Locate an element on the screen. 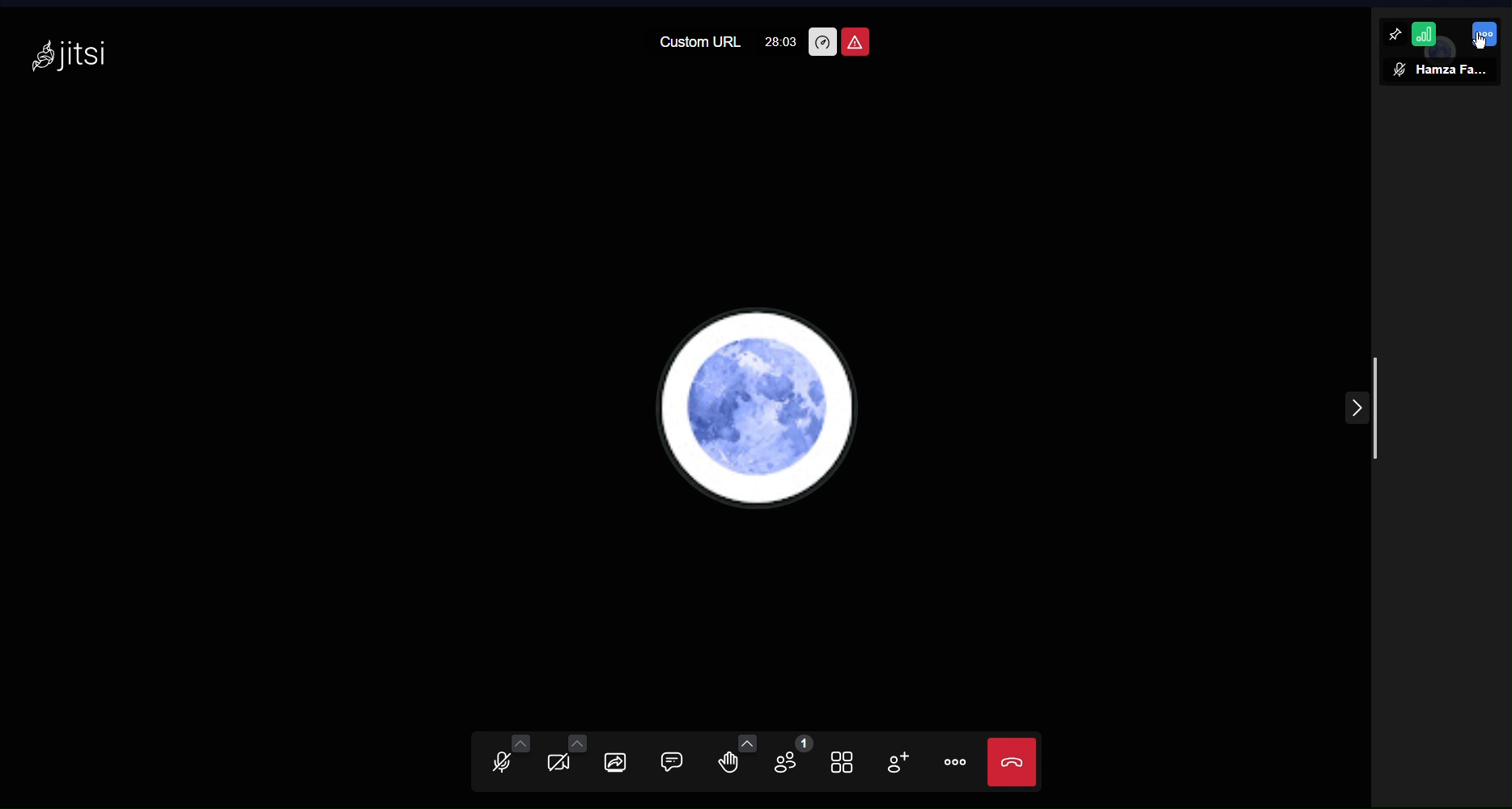 Image resolution: width=1512 pixels, height=809 pixels. Account PFP is located at coordinates (760, 405).